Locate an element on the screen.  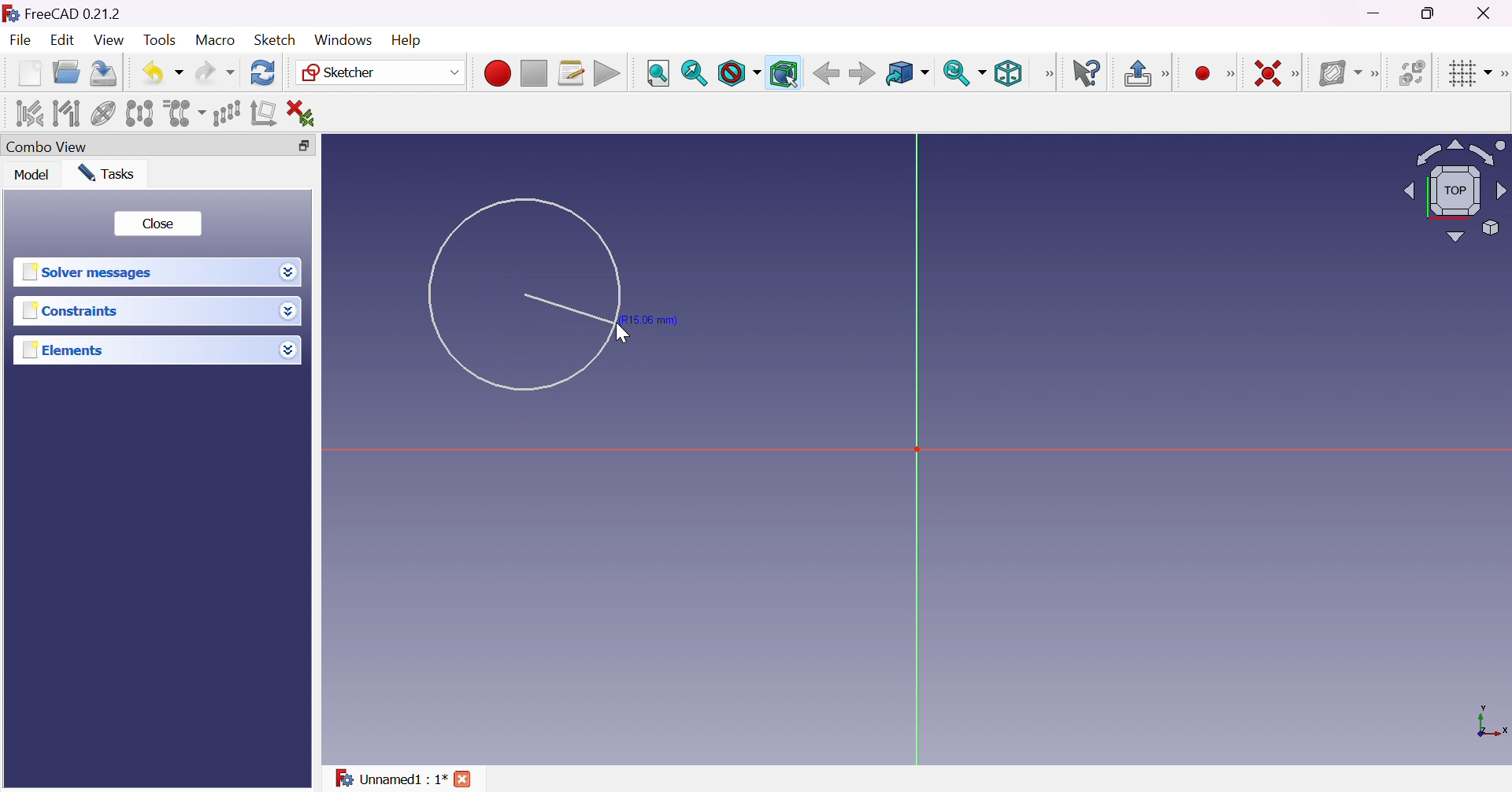
Delete all constraints is located at coordinates (306, 113).